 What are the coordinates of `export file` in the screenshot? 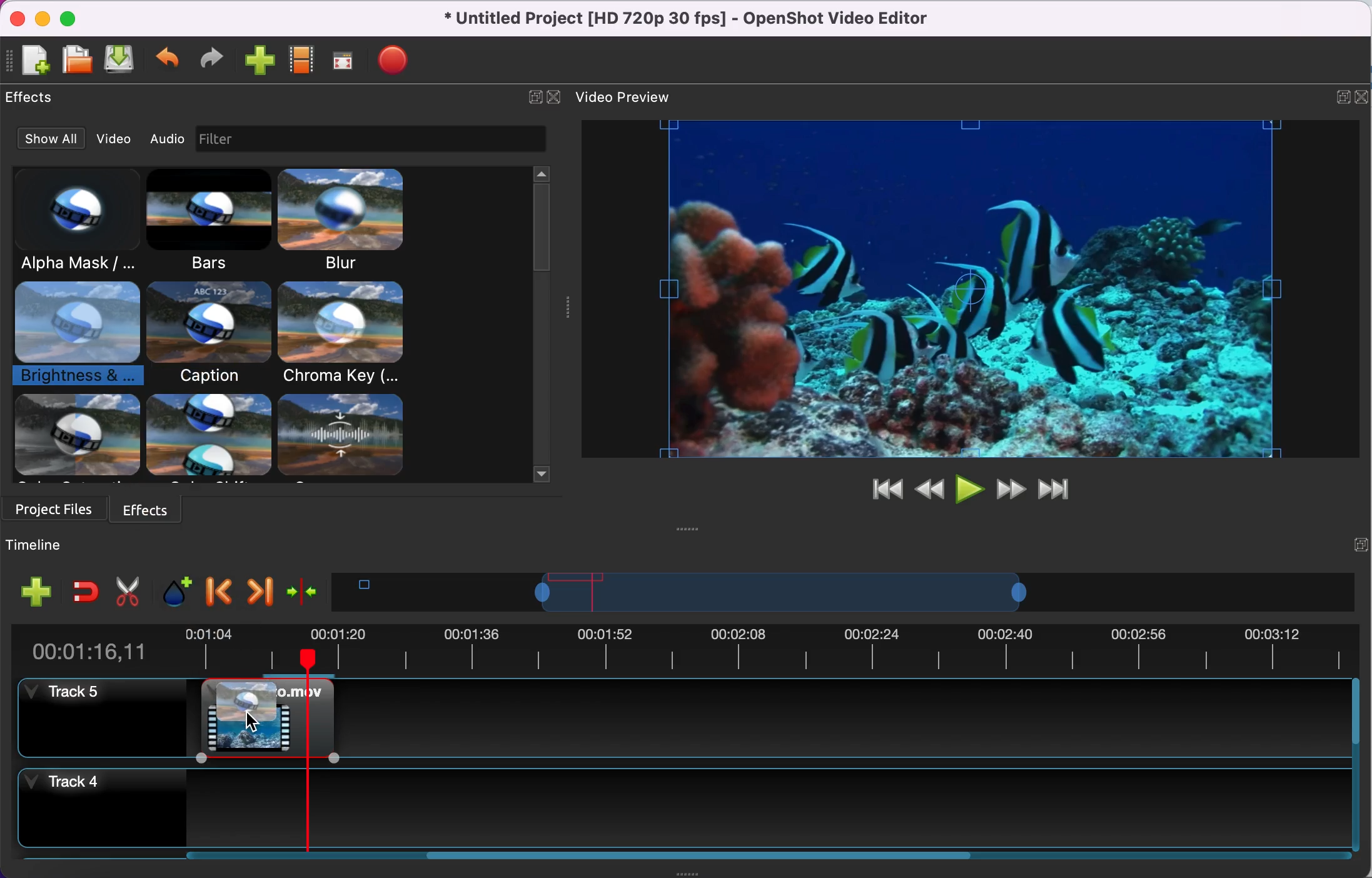 It's located at (396, 63).